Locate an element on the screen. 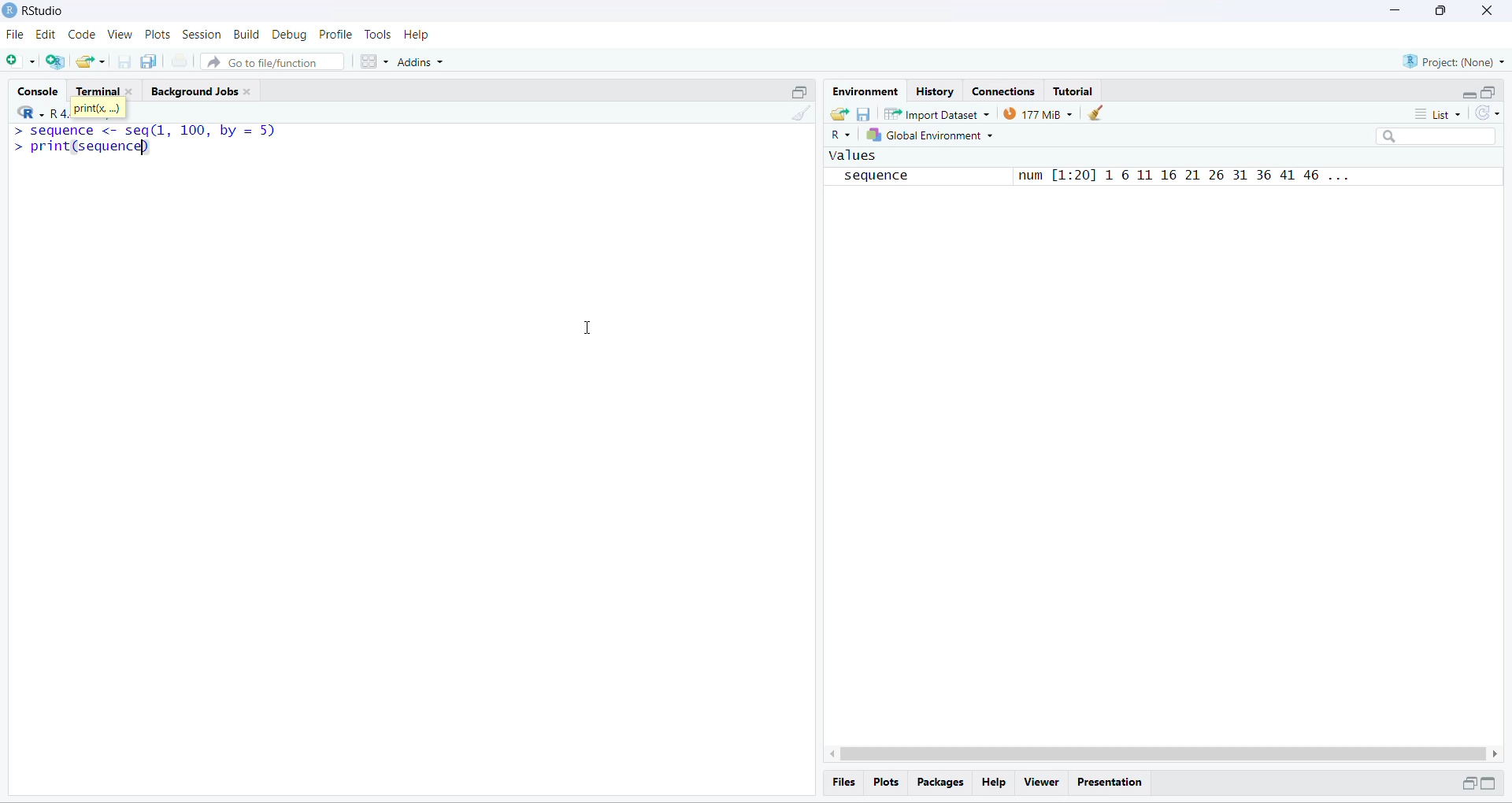  enviornment is located at coordinates (867, 92).